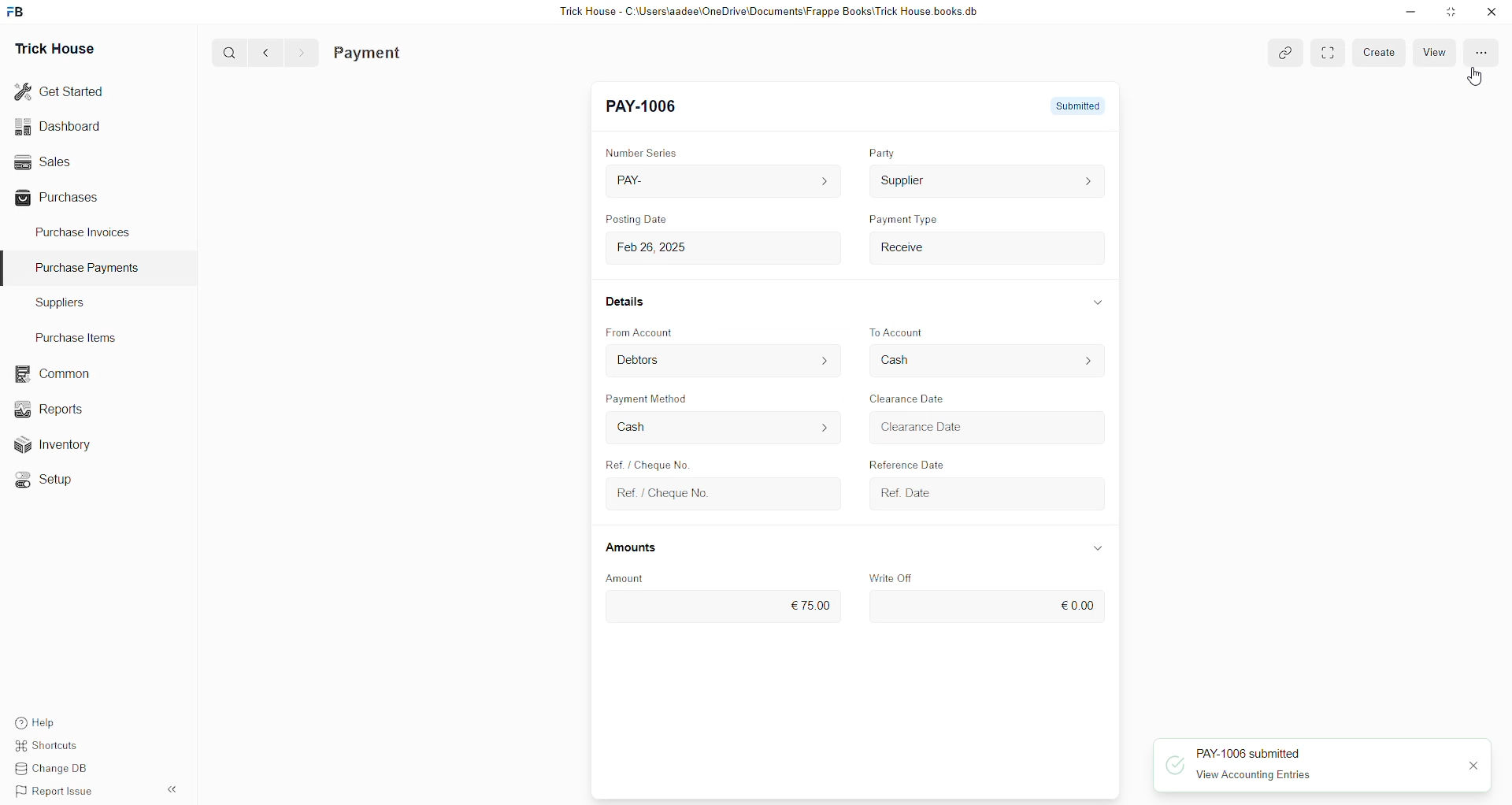 The height and width of the screenshot is (805, 1512). I want to click on Ref. / Cheque No., so click(656, 465).